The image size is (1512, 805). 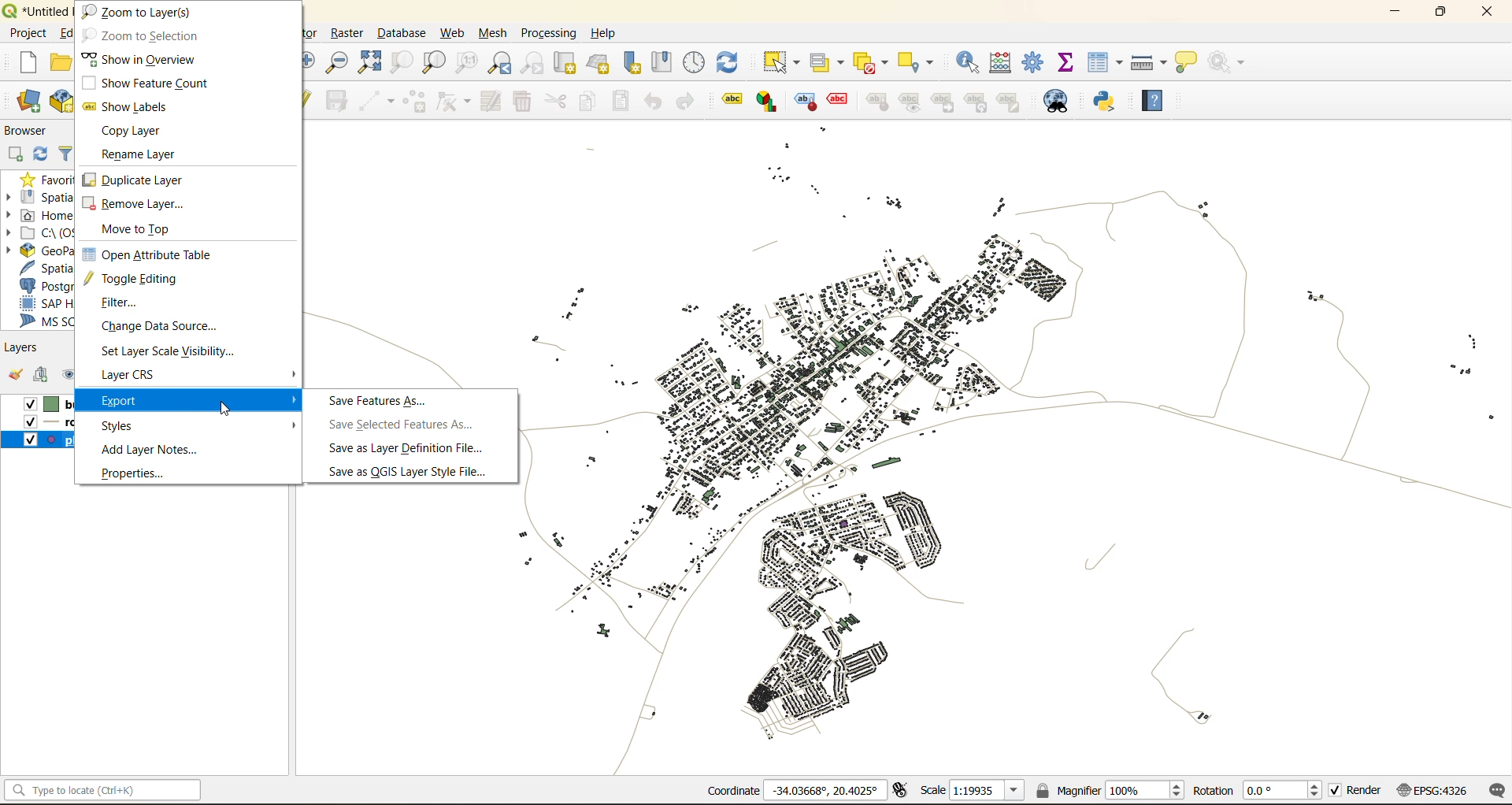 What do you see at coordinates (143, 58) in the screenshot?
I see `show in overview` at bounding box center [143, 58].